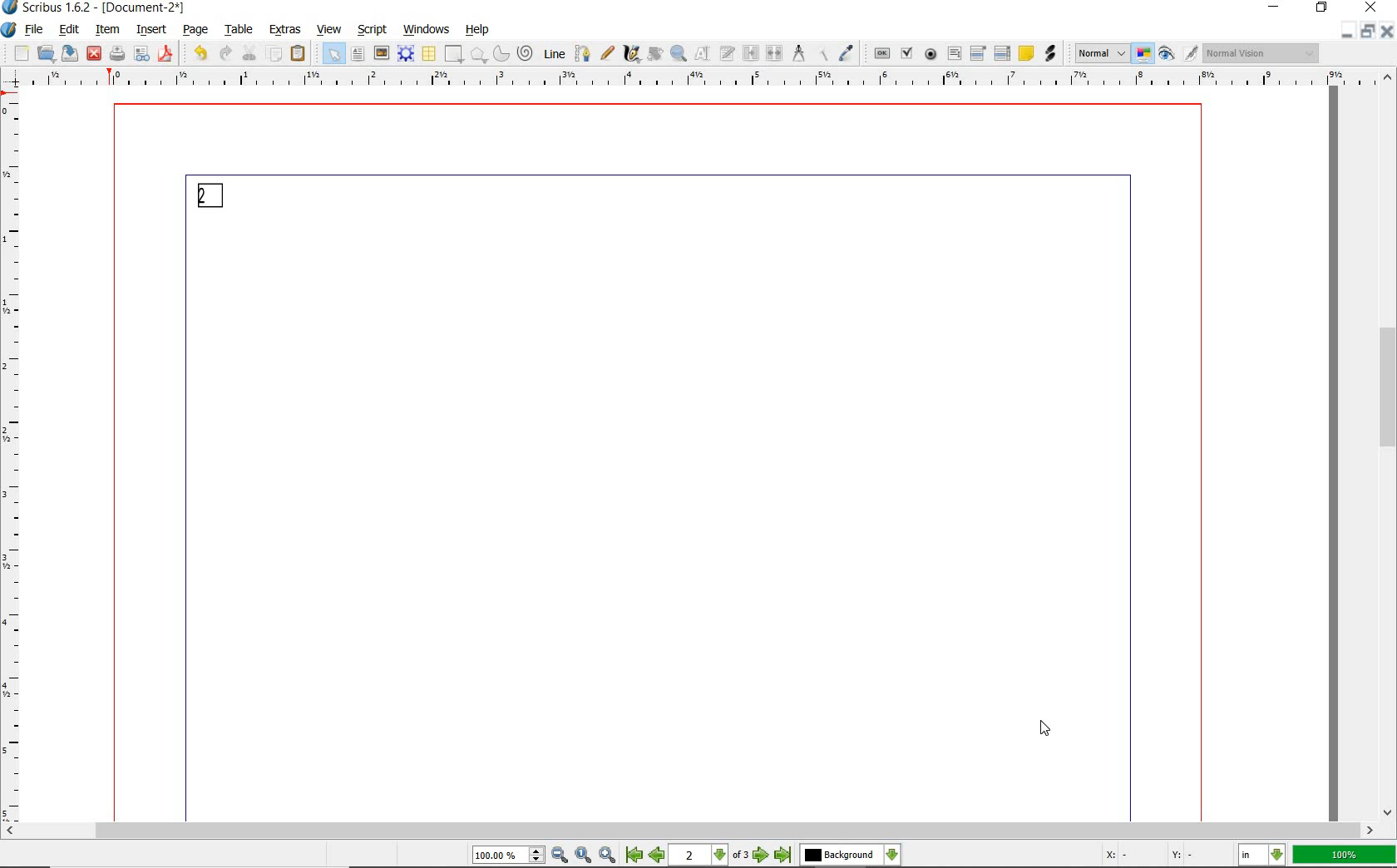  Describe the element at coordinates (1369, 33) in the screenshot. I see `Minimize` at that location.